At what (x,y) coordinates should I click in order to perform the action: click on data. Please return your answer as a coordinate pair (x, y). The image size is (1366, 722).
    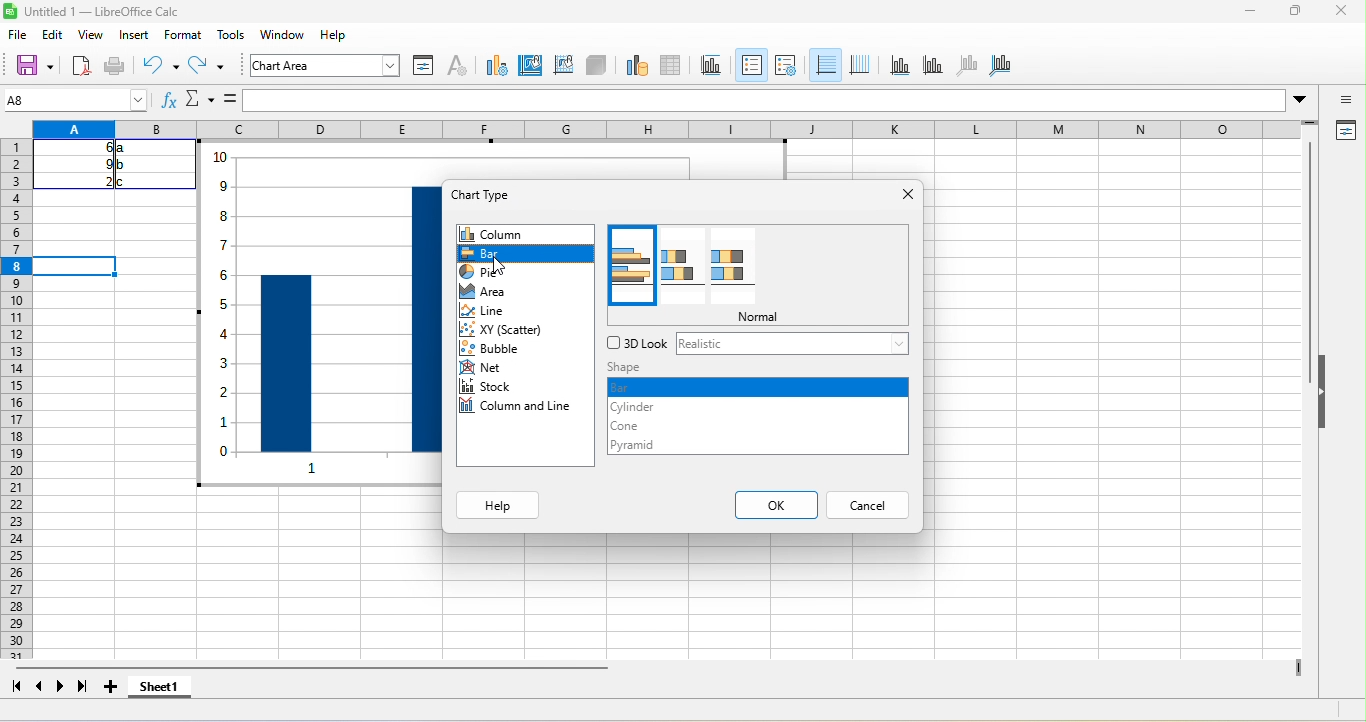
    Looking at the image, I should click on (323, 34).